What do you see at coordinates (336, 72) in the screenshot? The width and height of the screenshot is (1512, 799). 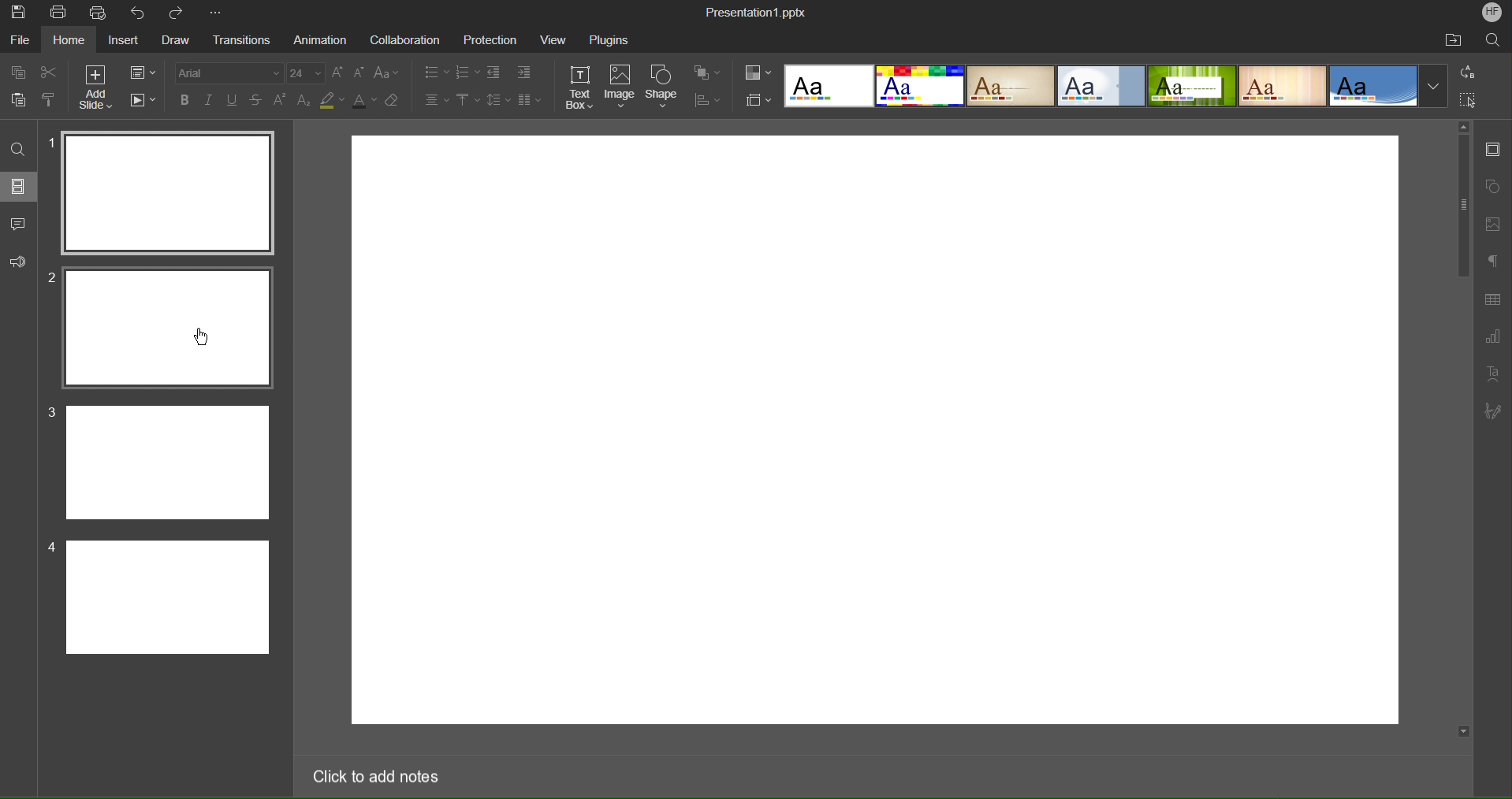 I see `increase font size` at bounding box center [336, 72].